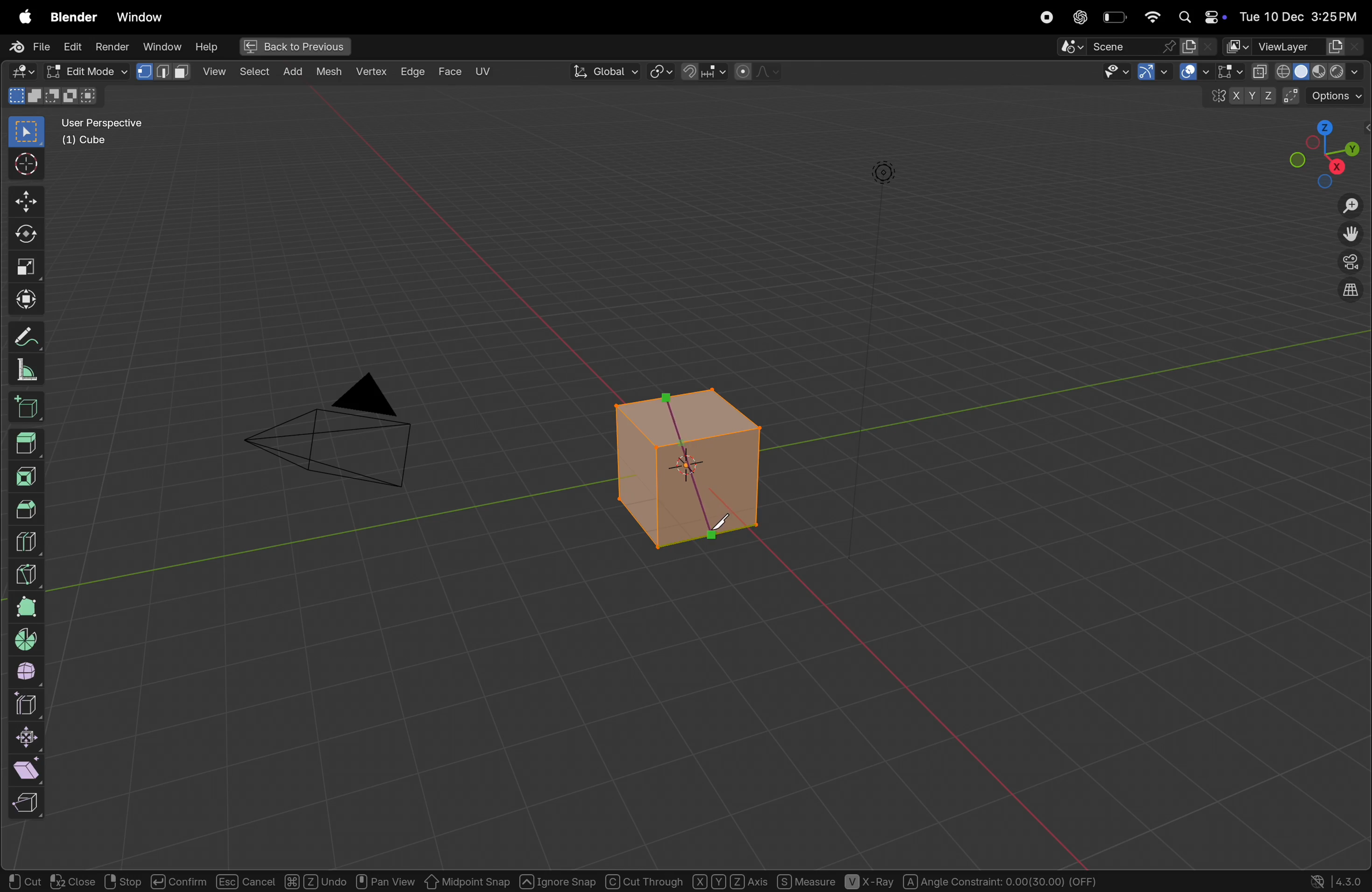 The height and width of the screenshot is (892, 1372). What do you see at coordinates (1047, 17) in the screenshot?
I see `record` at bounding box center [1047, 17].